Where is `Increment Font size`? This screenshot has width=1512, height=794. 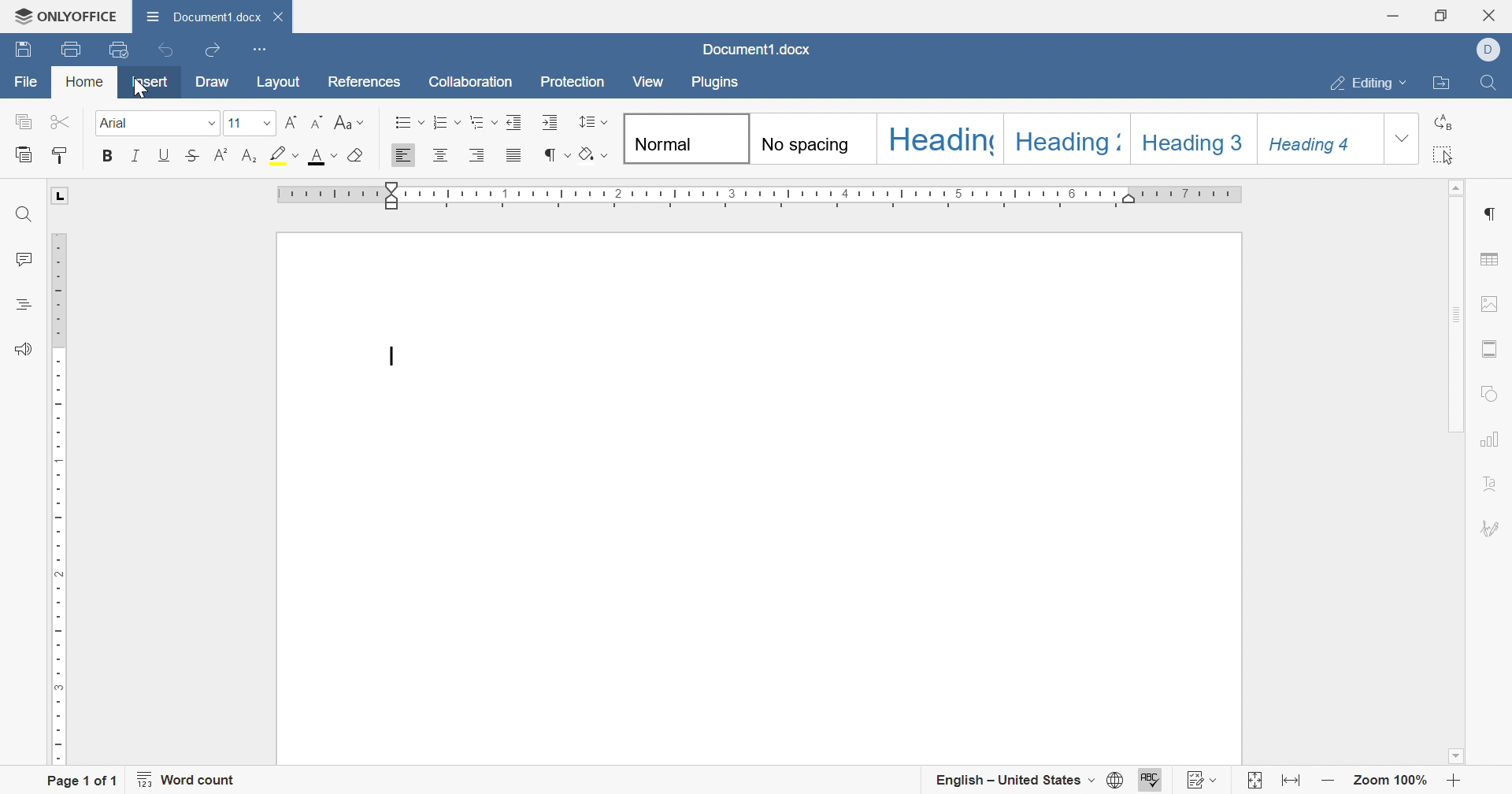 Increment Font size is located at coordinates (294, 121).